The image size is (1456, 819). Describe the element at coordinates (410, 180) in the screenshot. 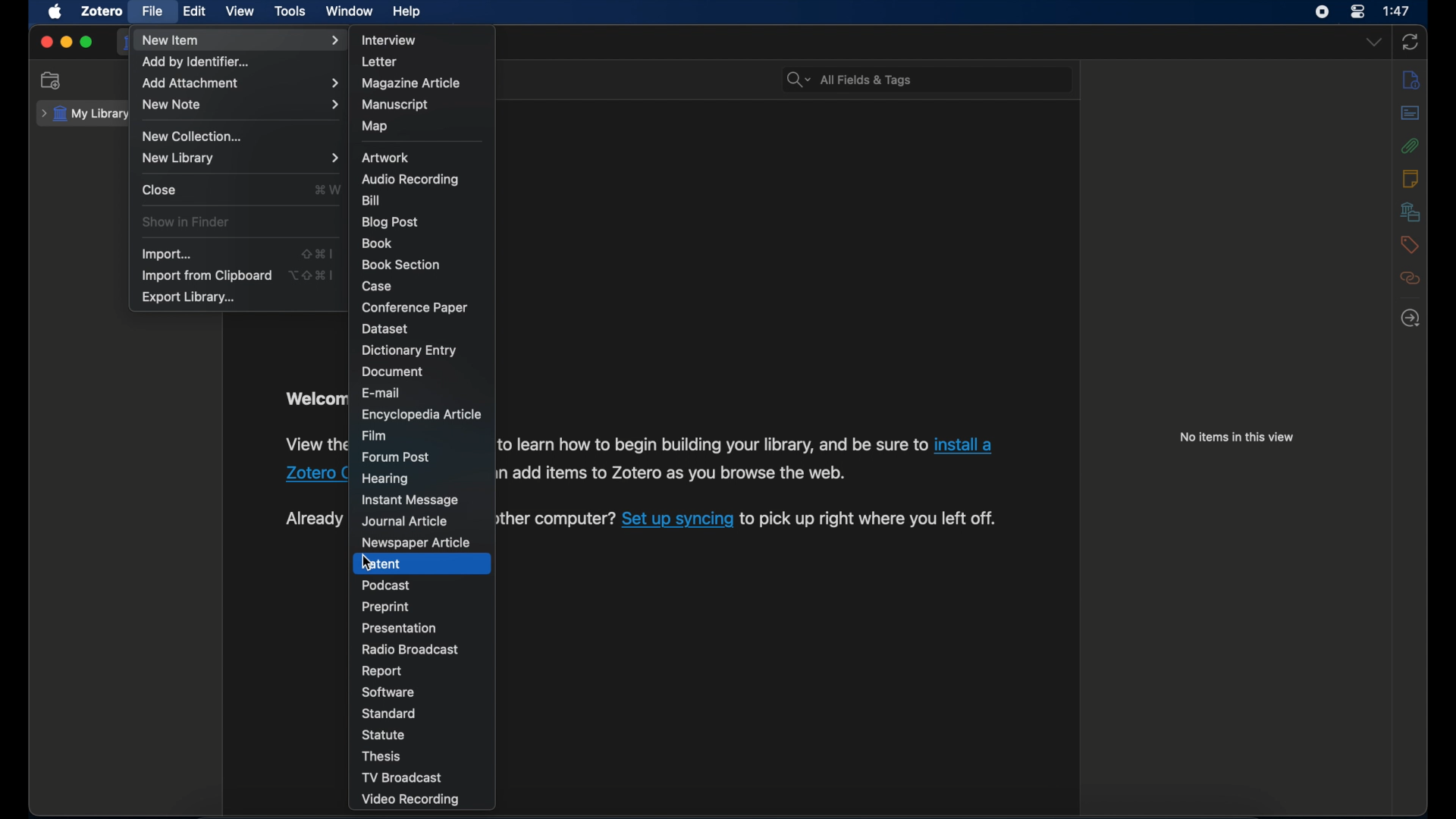

I see `audio recording` at that location.